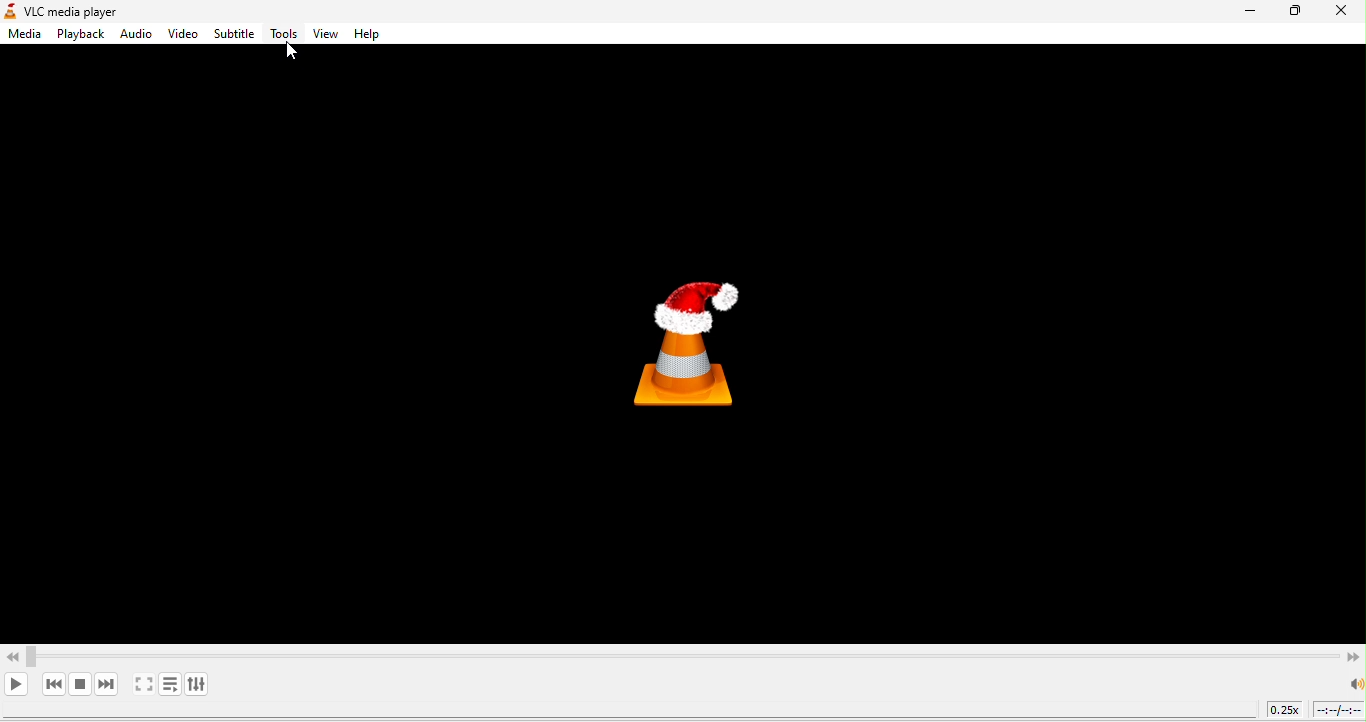  What do you see at coordinates (298, 53) in the screenshot?
I see `cursor movement` at bounding box center [298, 53].